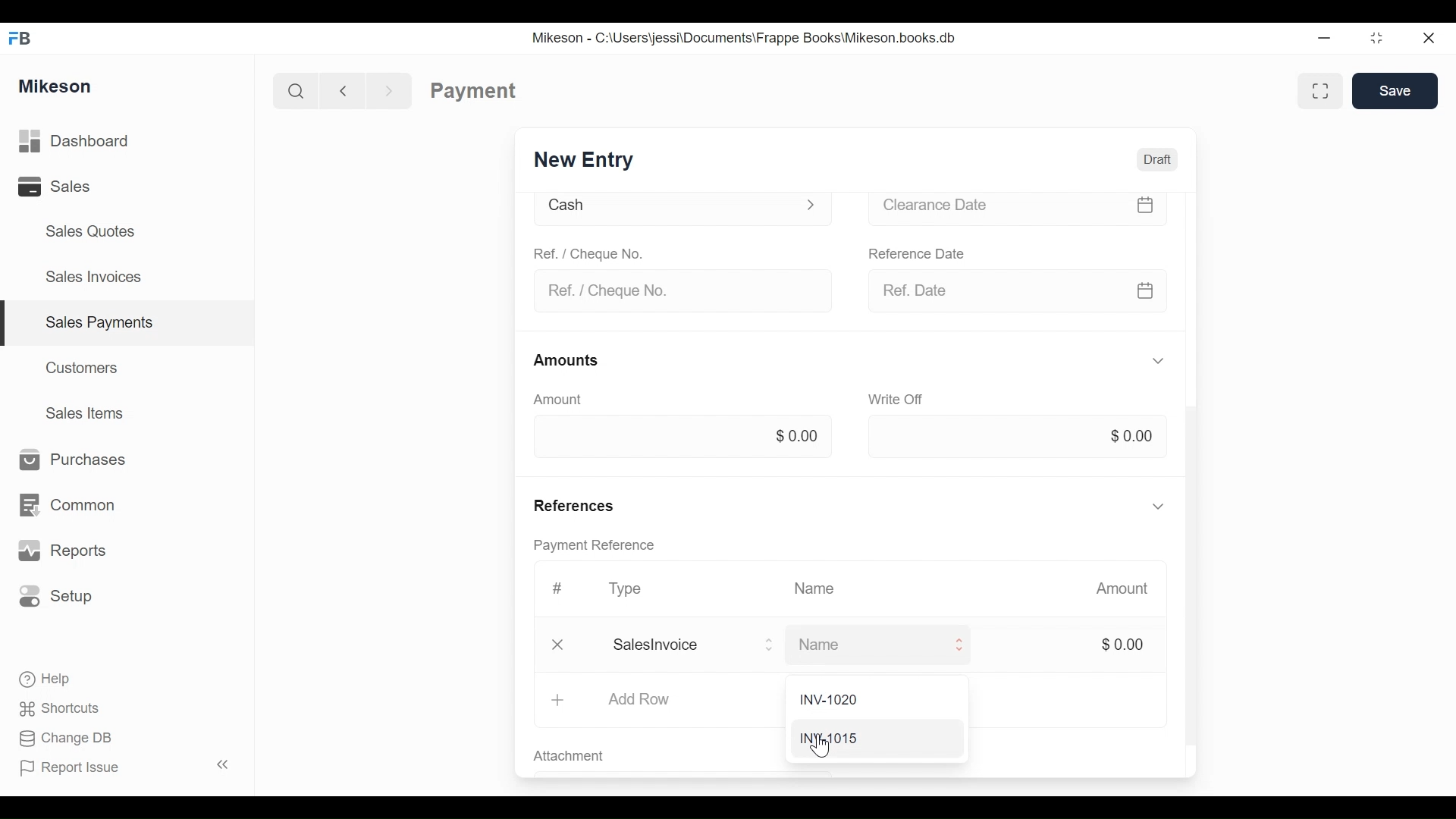 The image size is (1456, 819). What do you see at coordinates (86, 366) in the screenshot?
I see `Customers` at bounding box center [86, 366].